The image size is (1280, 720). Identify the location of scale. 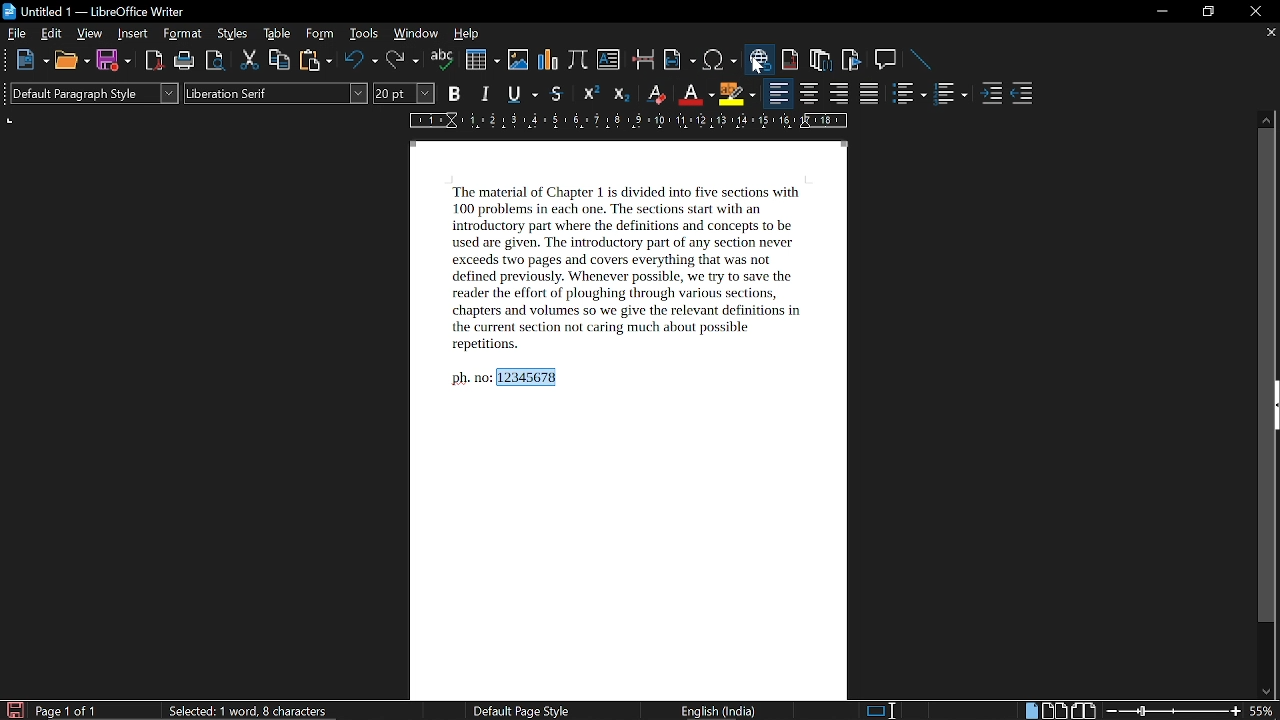
(624, 123).